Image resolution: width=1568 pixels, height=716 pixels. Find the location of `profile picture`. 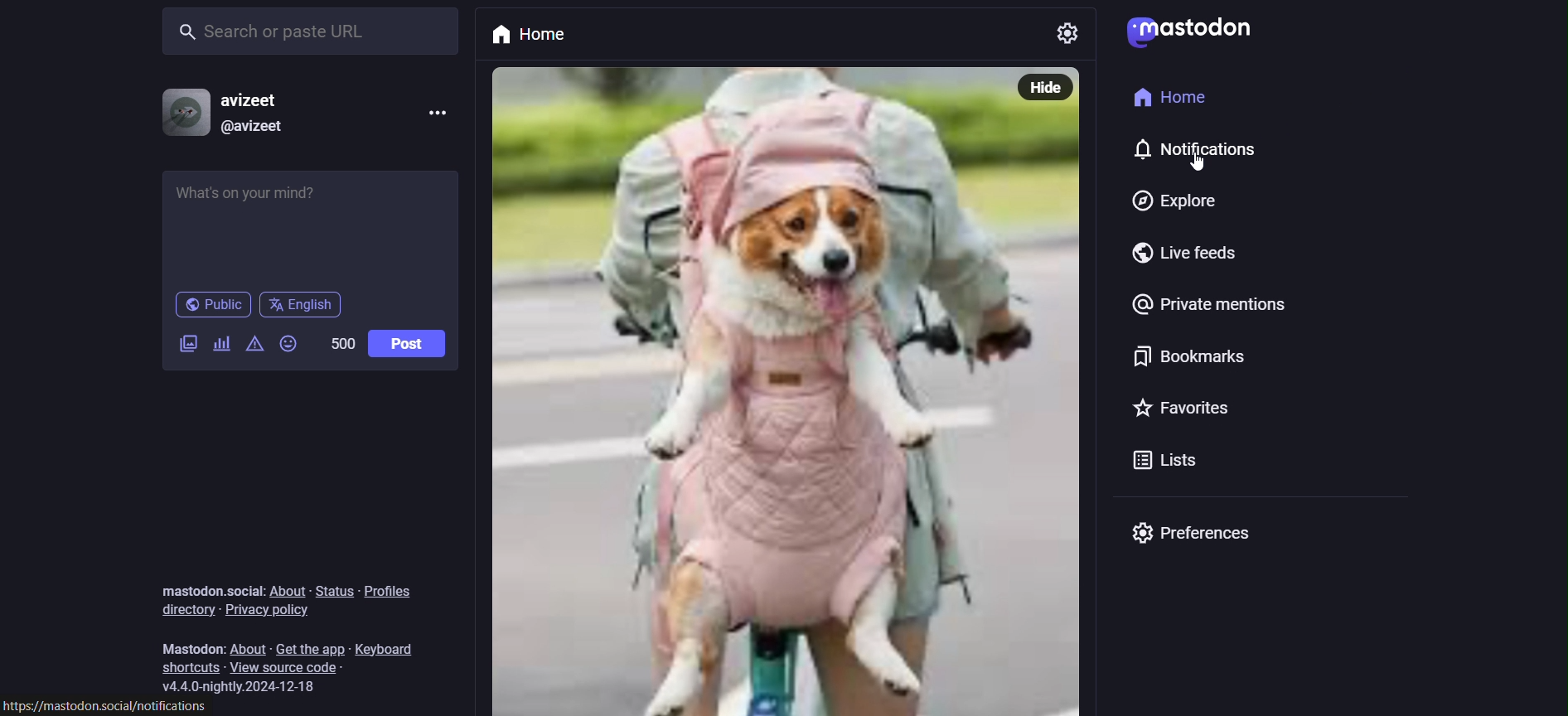

profile picture is located at coordinates (182, 112).